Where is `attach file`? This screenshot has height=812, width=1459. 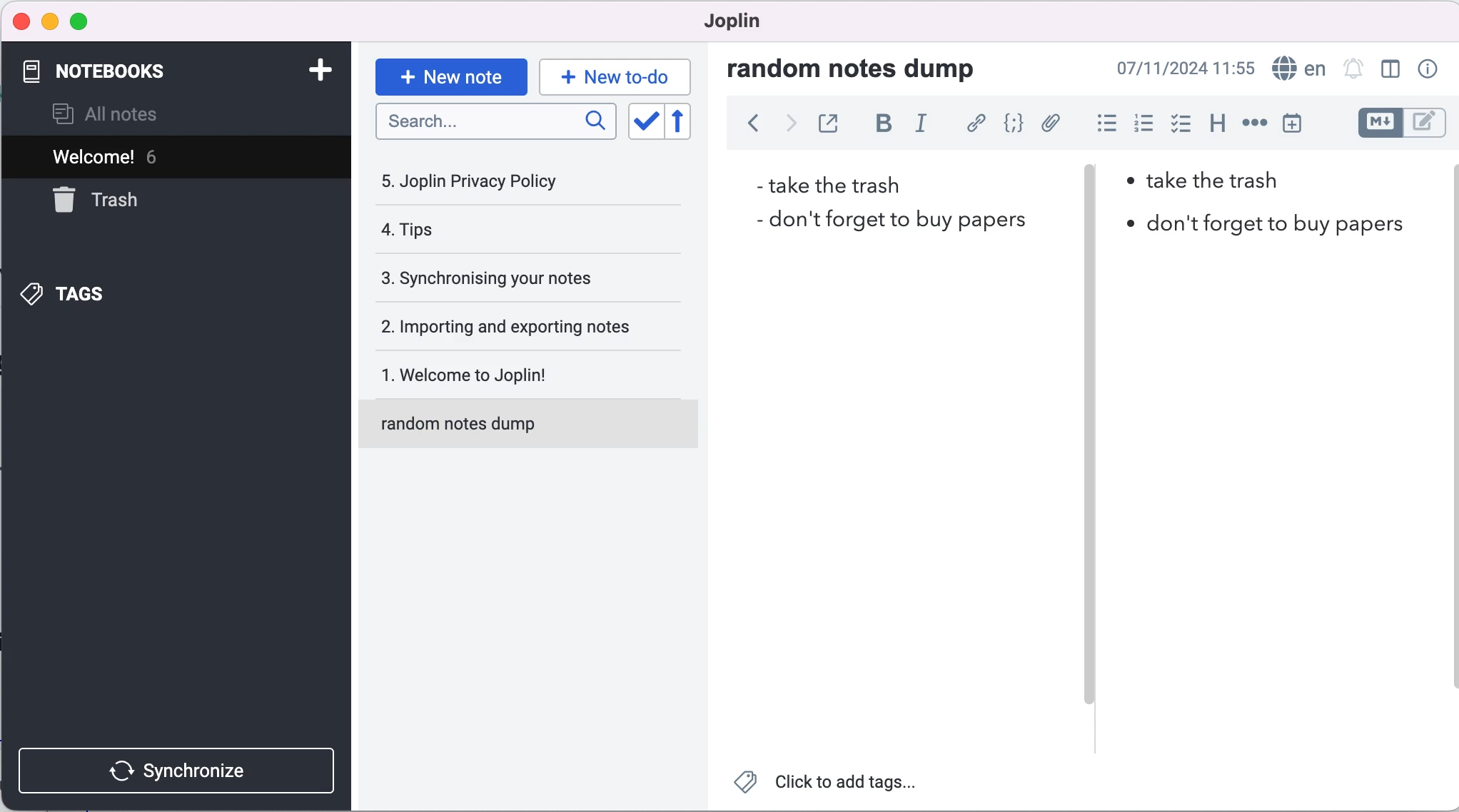
attach file is located at coordinates (1049, 125).